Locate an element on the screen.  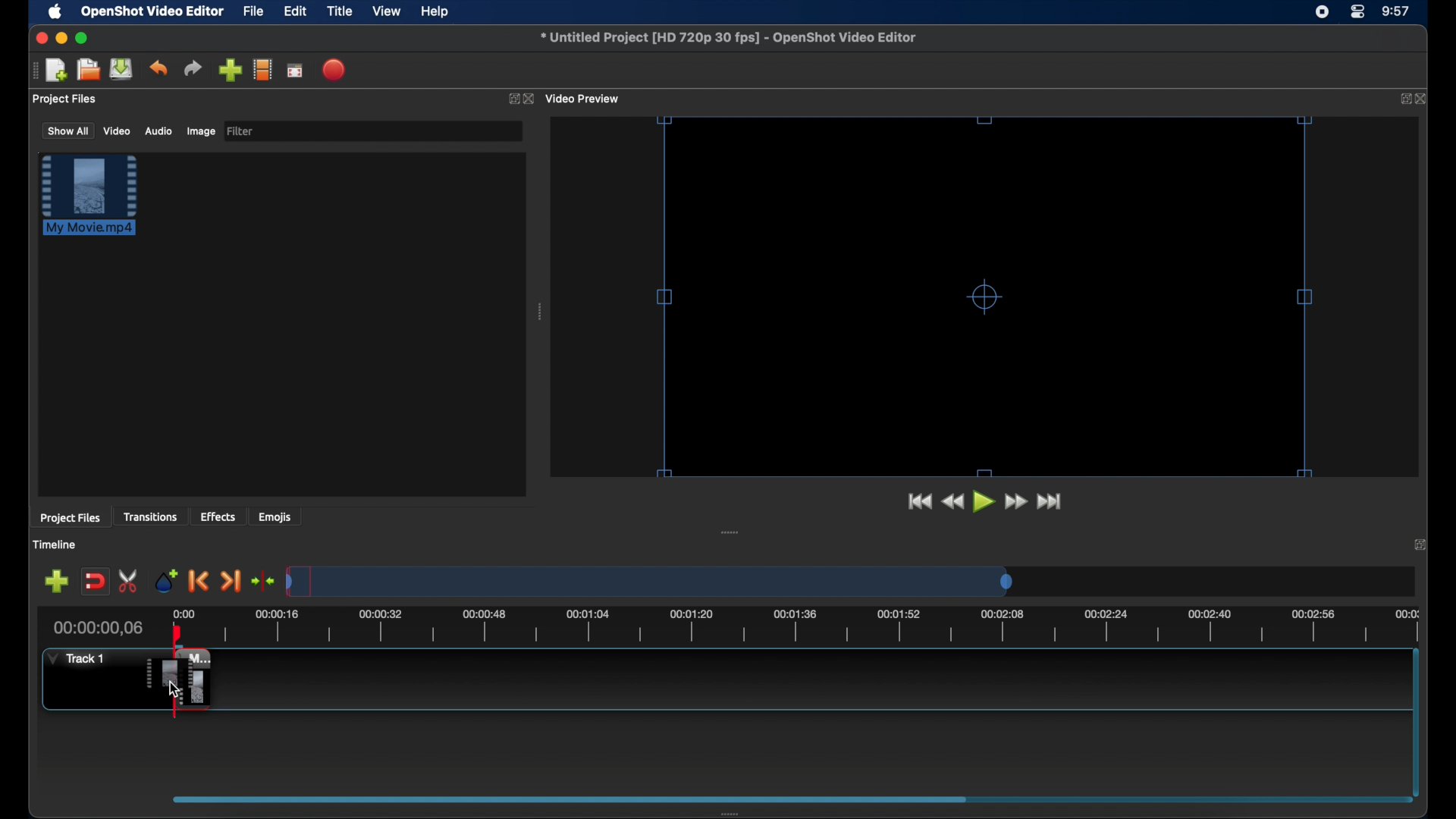
timeline scale is located at coordinates (649, 581).